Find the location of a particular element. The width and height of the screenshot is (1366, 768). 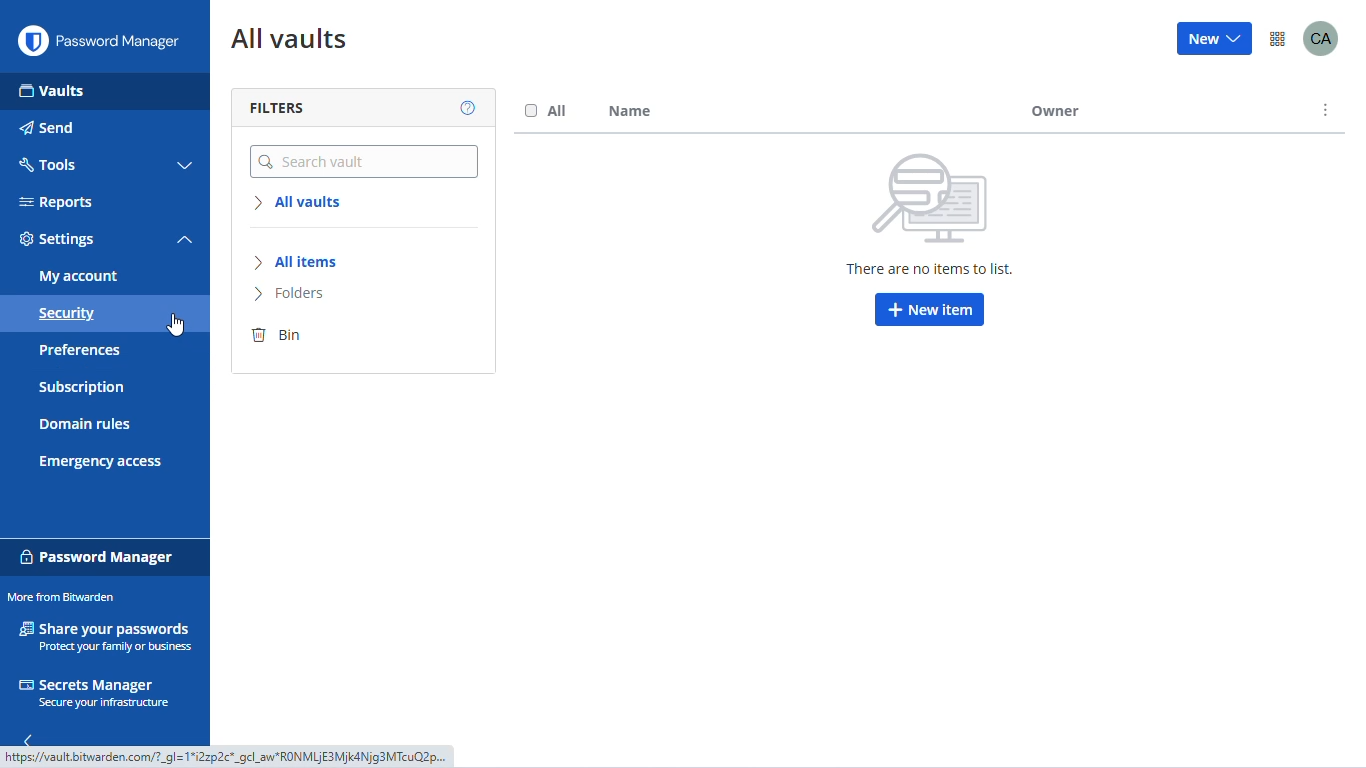

secrets manager is located at coordinates (93, 693).